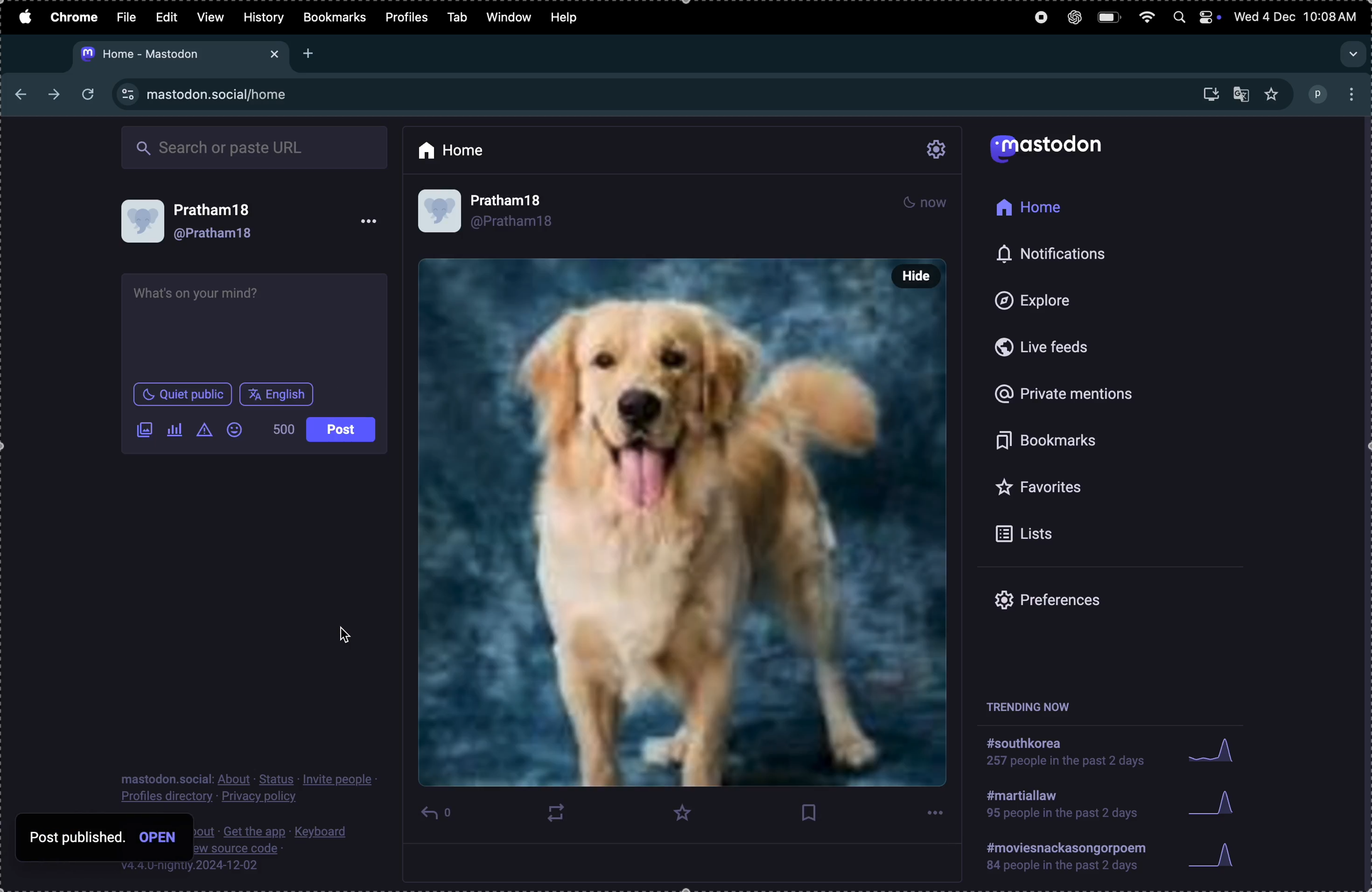 The image size is (1372, 892). What do you see at coordinates (1195, 16) in the screenshot?
I see `apple widgets` at bounding box center [1195, 16].